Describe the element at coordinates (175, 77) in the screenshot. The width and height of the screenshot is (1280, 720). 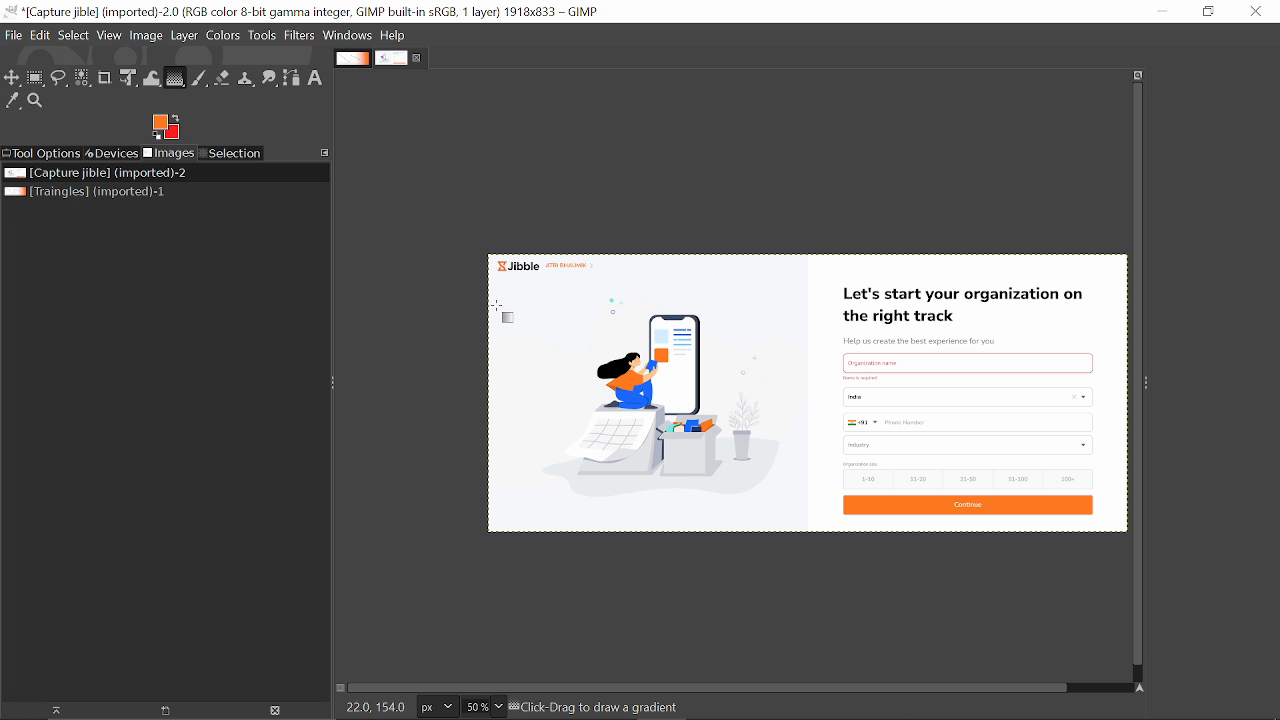
I see `Gradient tool` at that location.